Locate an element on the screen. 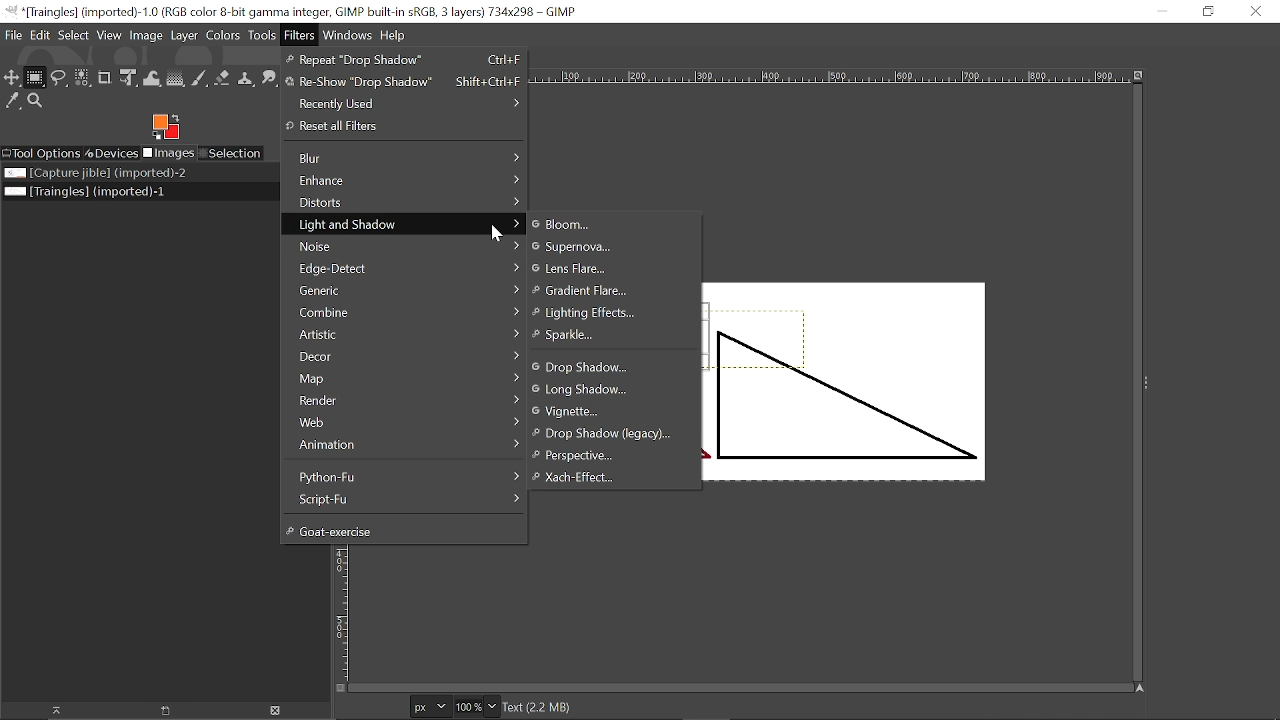  Decor is located at coordinates (407, 358).